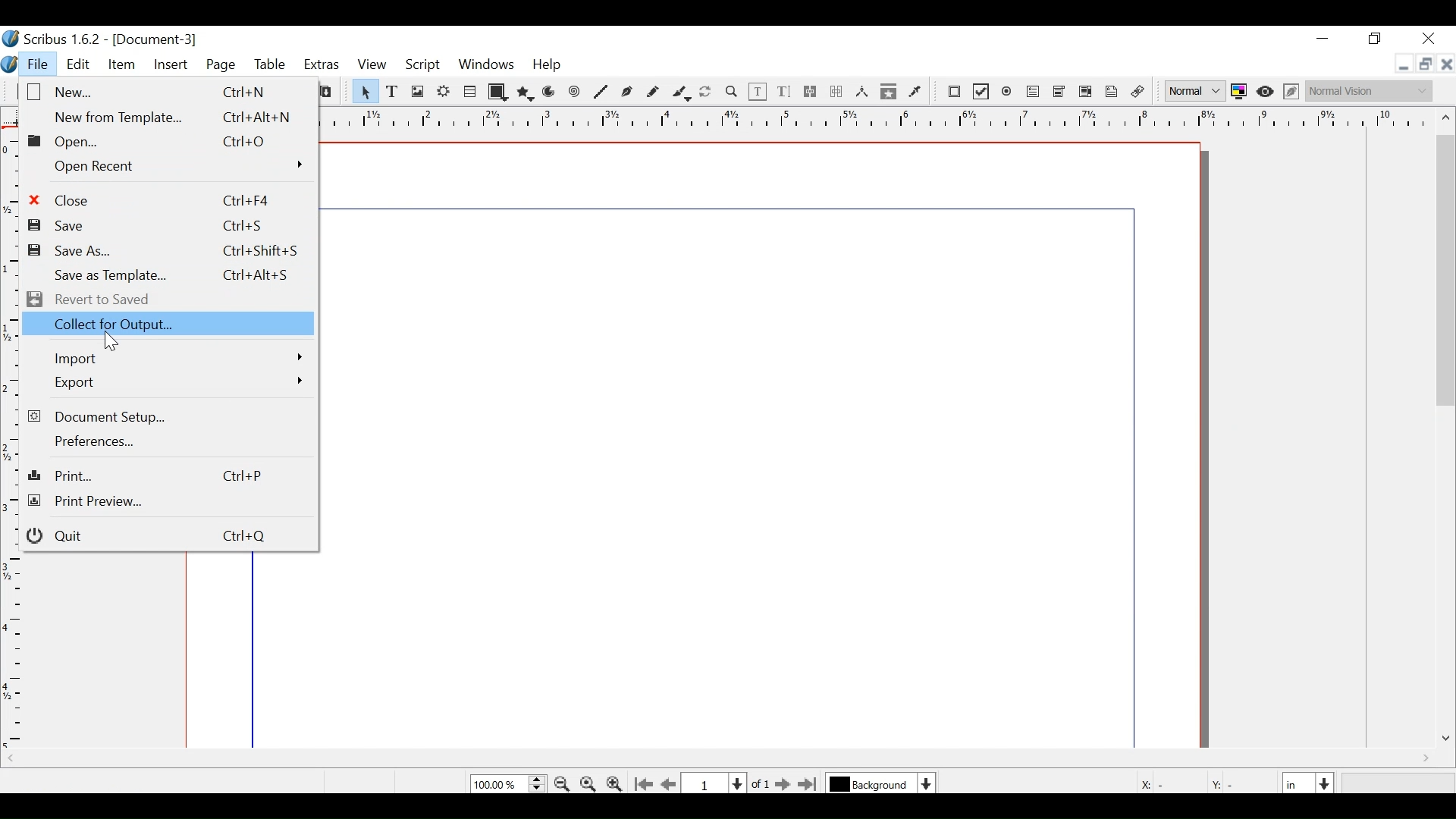 The width and height of the screenshot is (1456, 819). I want to click on Measurements, so click(861, 92).